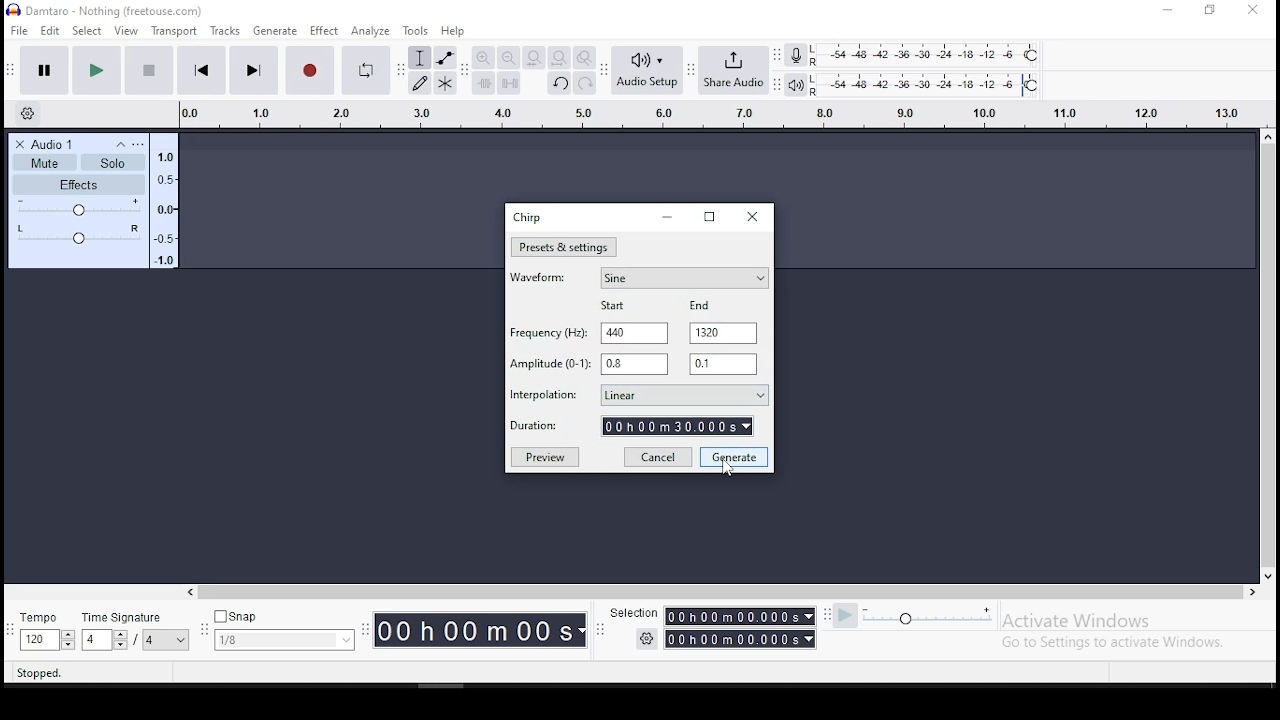  What do you see at coordinates (914, 616) in the screenshot?
I see `playback speed` at bounding box center [914, 616].